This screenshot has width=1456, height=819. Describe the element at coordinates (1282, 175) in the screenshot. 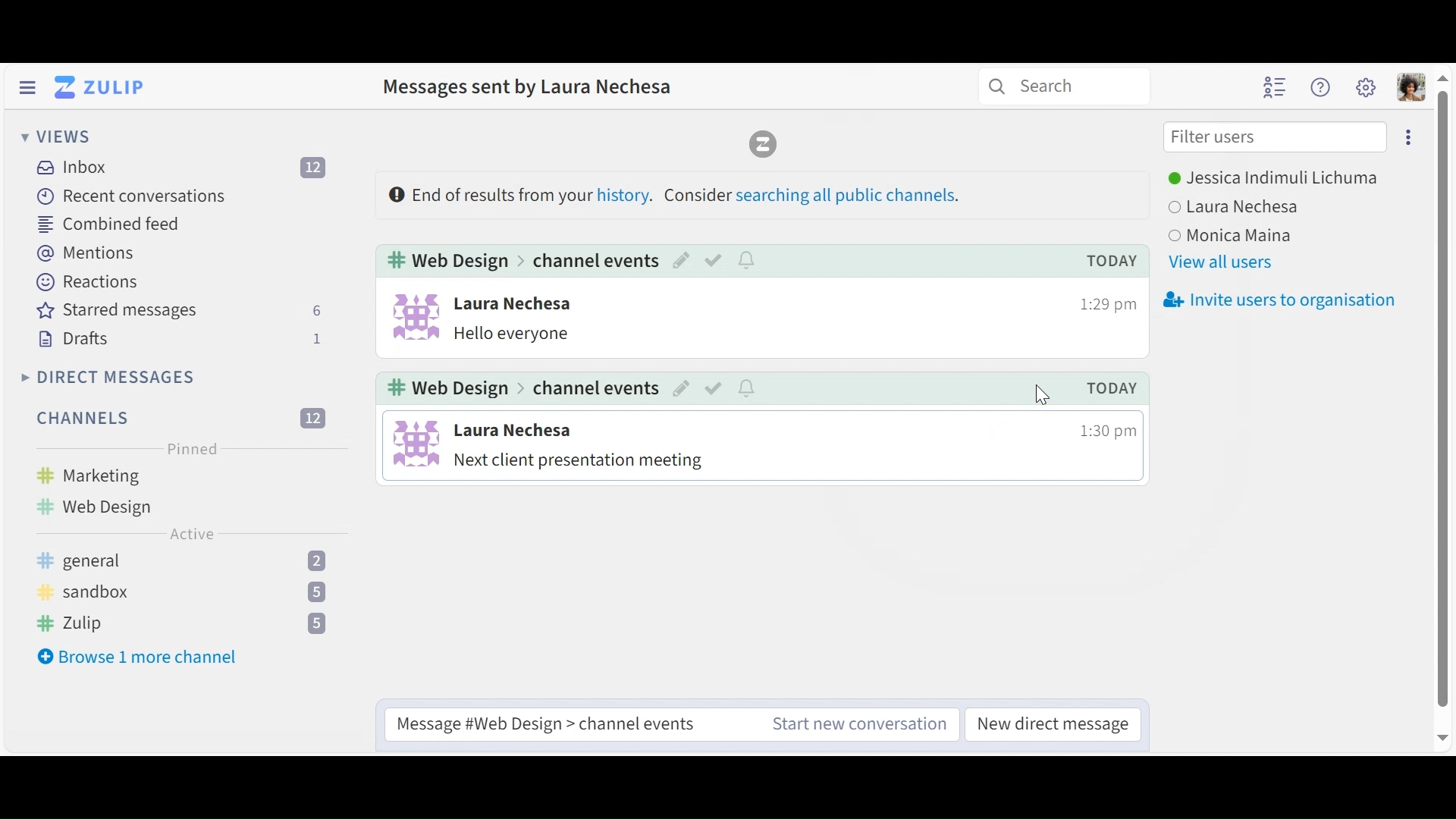

I see `Users` at that location.